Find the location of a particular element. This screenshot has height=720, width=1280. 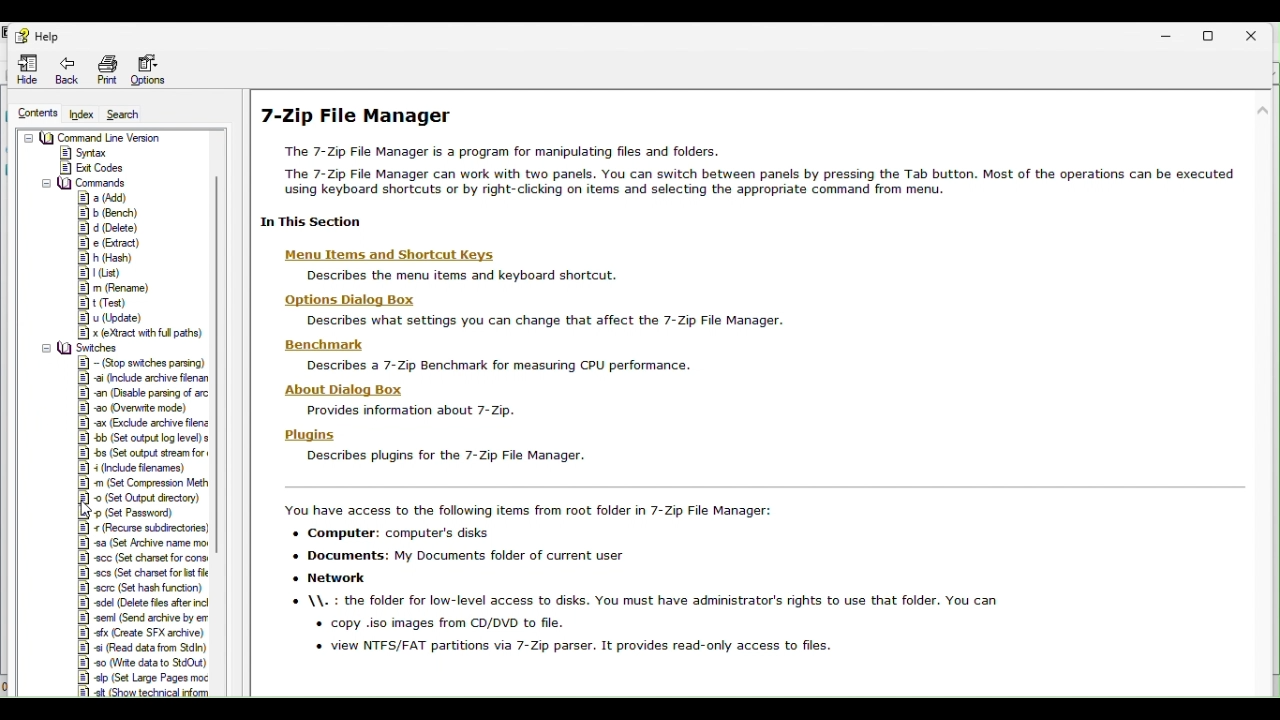

FREE TRIAL EXPIREDset output director is located at coordinates (139, 498).